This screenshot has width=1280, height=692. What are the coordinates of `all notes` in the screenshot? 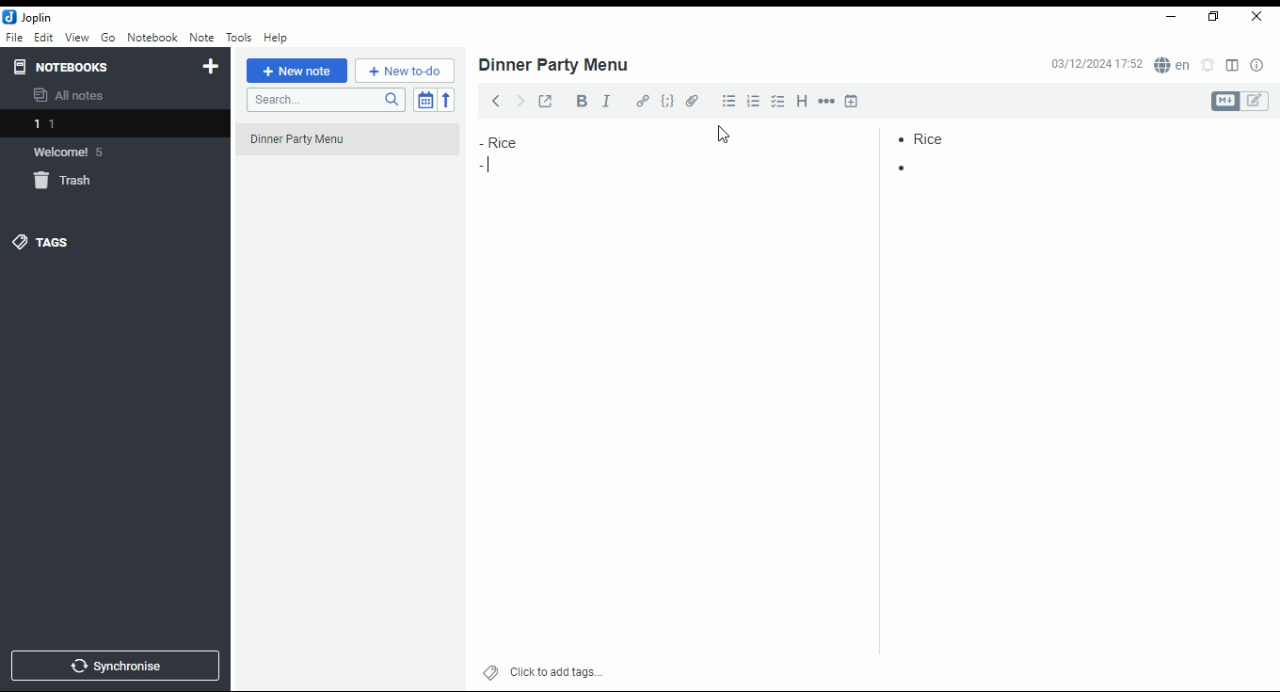 It's located at (74, 96).